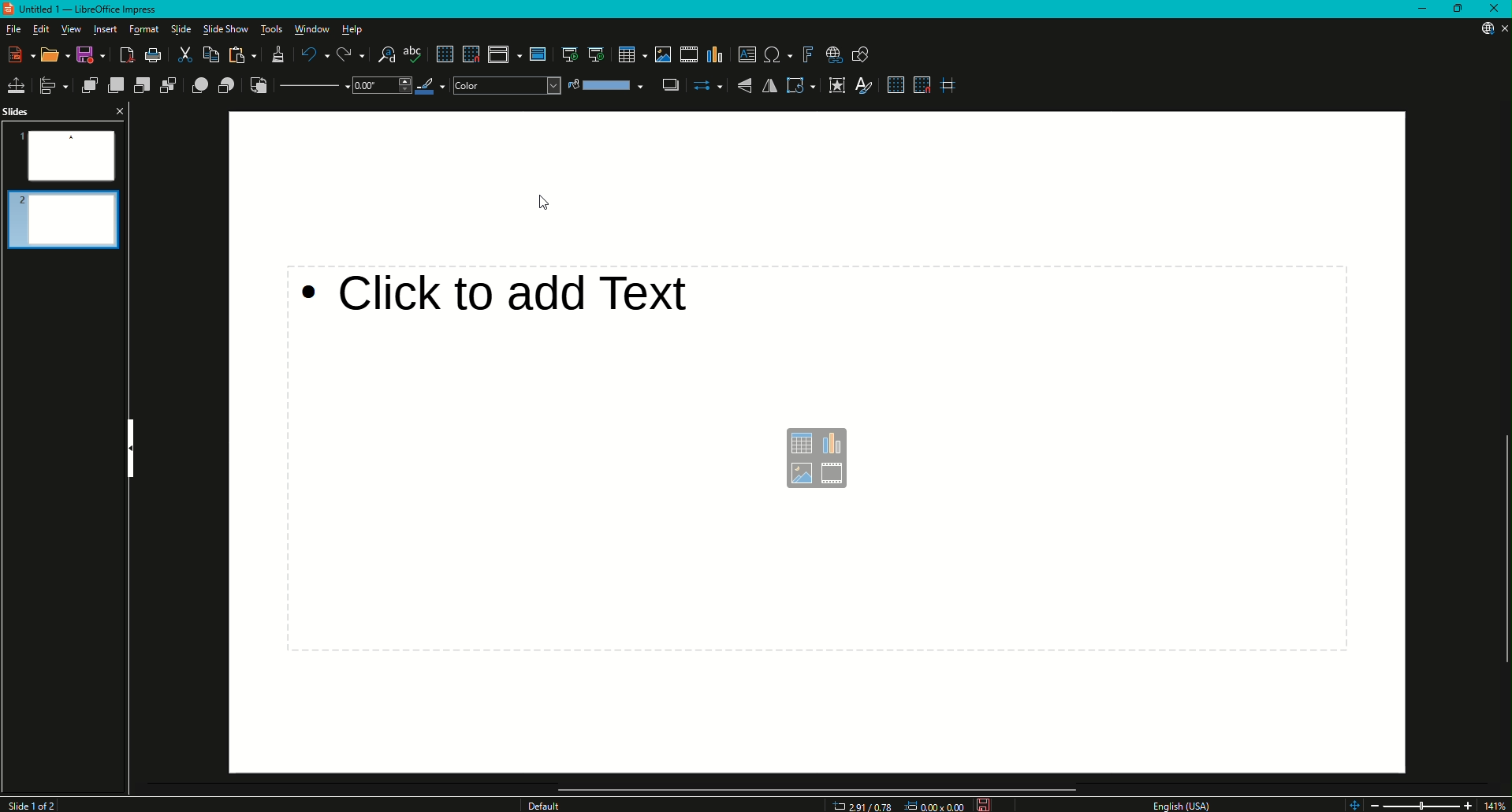 The height and width of the screenshot is (812, 1512). What do you see at coordinates (197, 85) in the screenshot?
I see `In Front of Object` at bounding box center [197, 85].